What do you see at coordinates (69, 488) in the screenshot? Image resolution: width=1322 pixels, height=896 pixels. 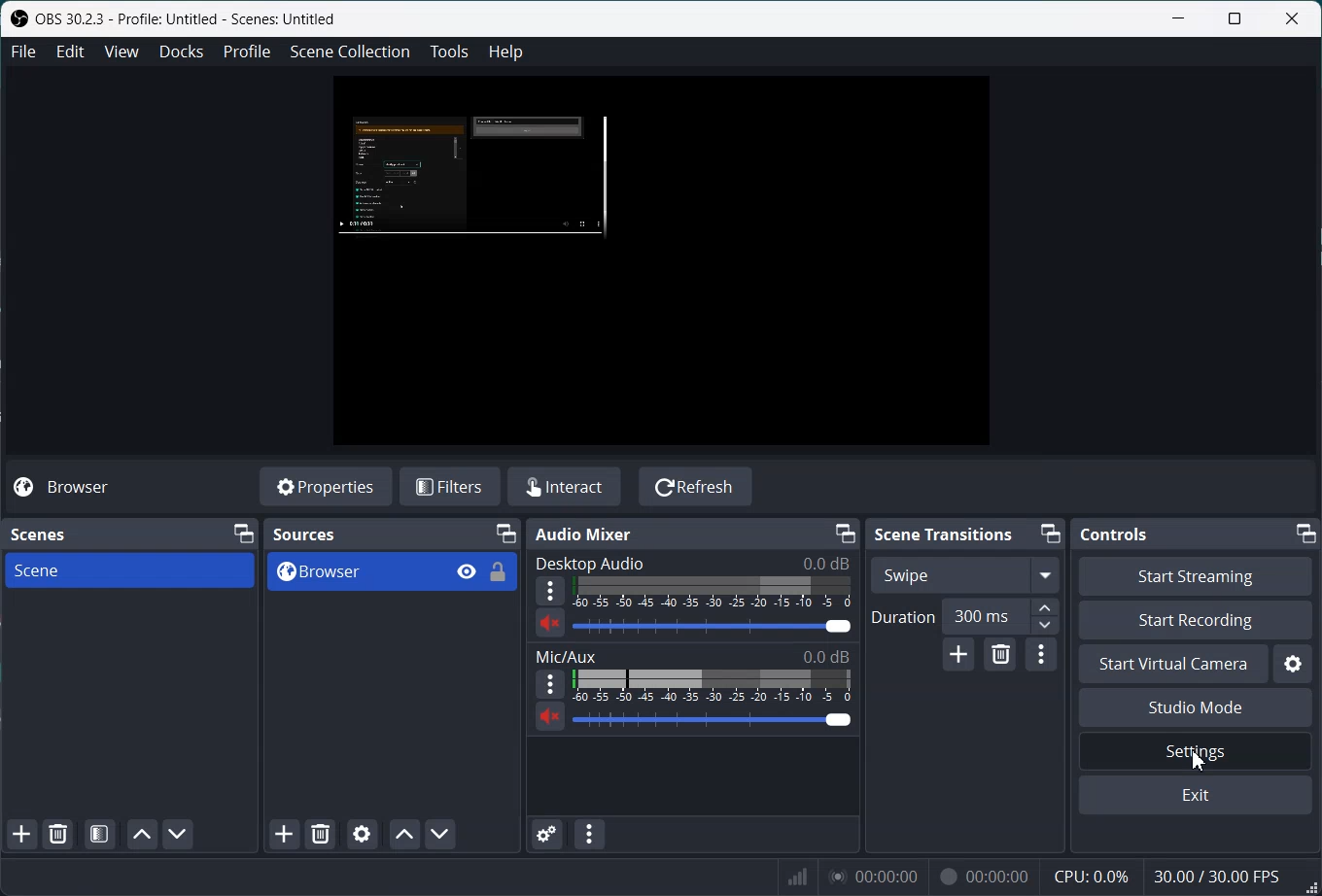 I see `Browser` at bounding box center [69, 488].